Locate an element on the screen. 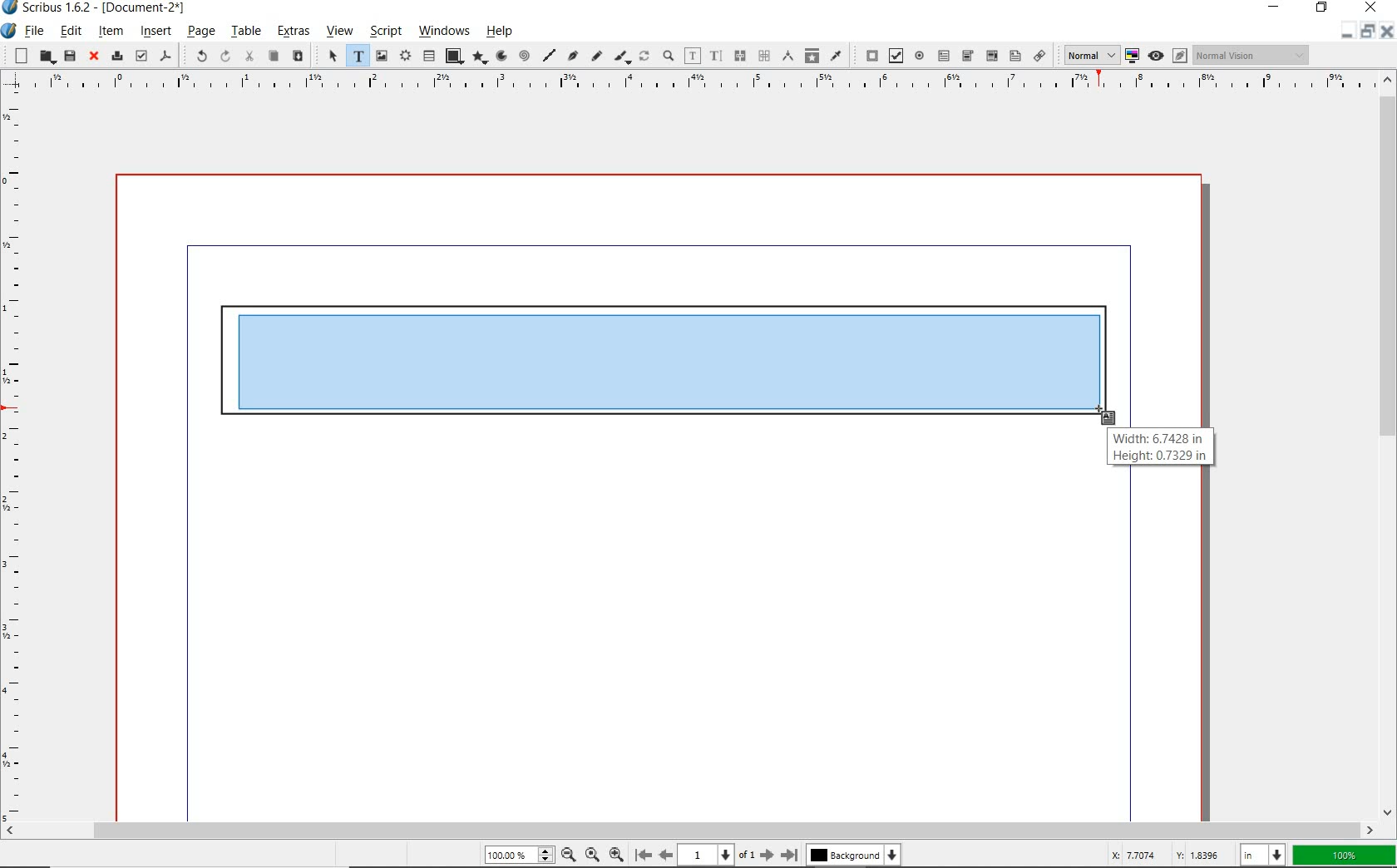 The image size is (1397, 868). ruler is located at coordinates (16, 456).